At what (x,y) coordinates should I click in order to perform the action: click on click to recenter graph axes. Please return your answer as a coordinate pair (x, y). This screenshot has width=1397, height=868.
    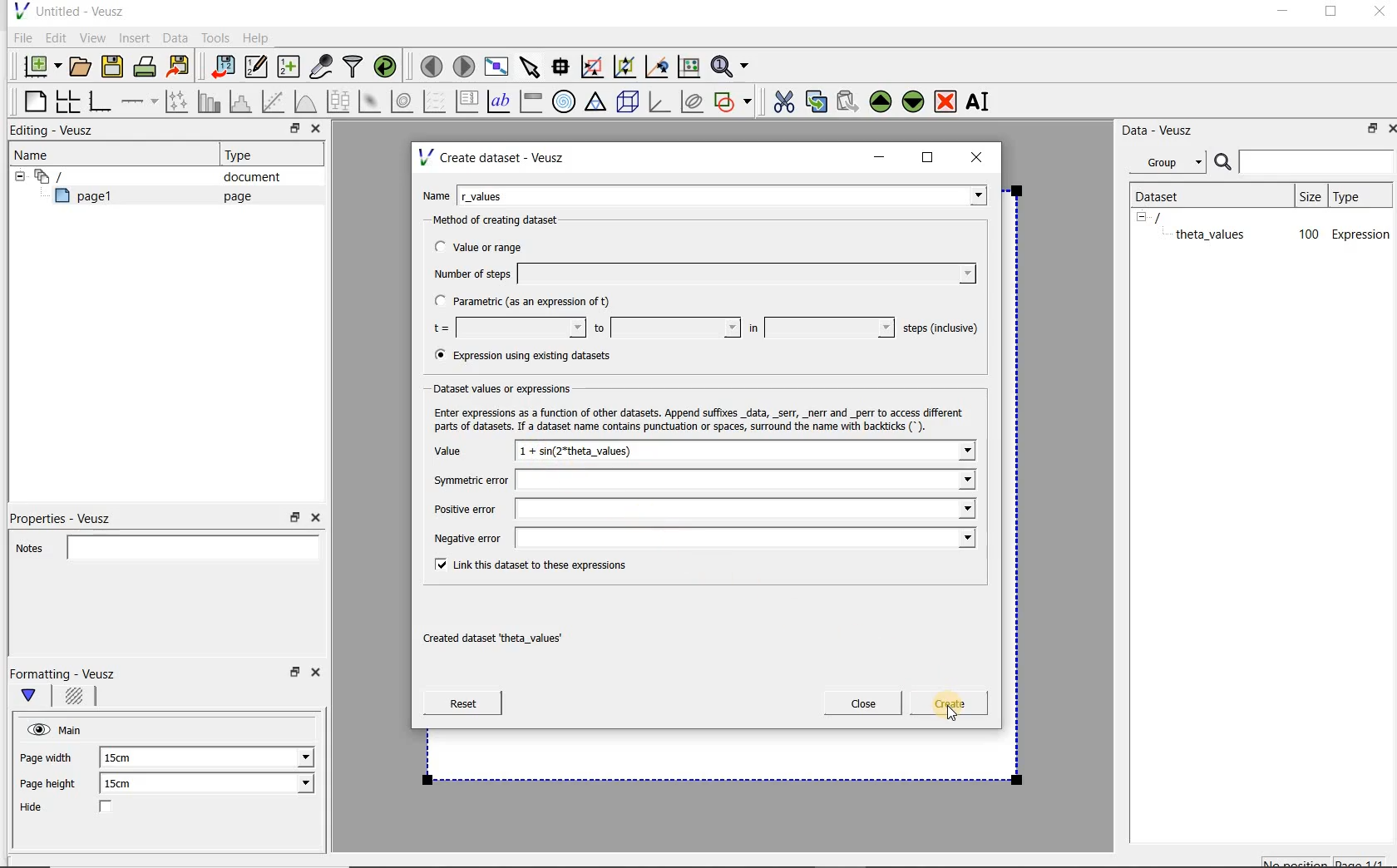
    Looking at the image, I should click on (658, 67).